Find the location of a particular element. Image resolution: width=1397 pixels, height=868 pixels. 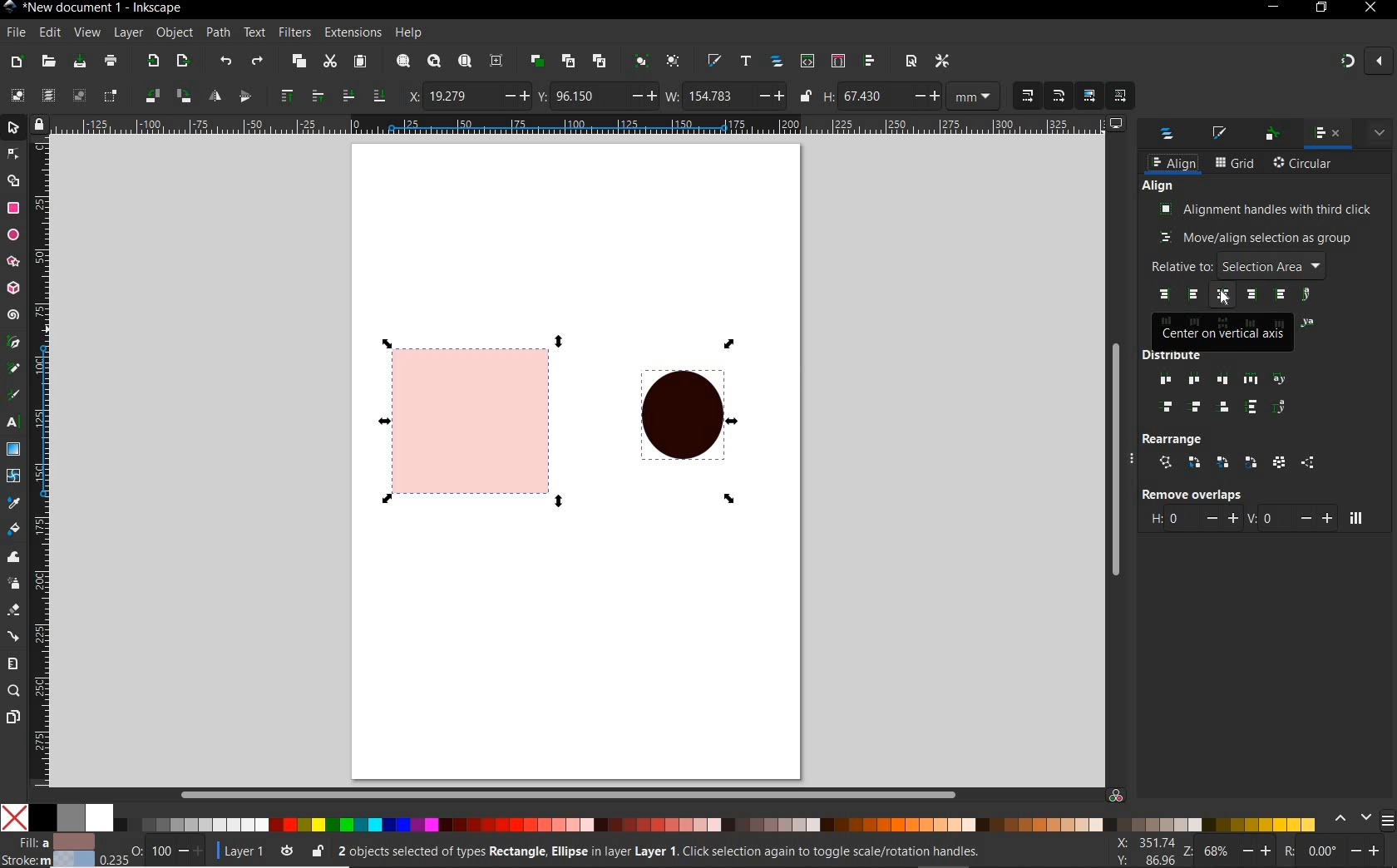

print is located at coordinates (111, 61).